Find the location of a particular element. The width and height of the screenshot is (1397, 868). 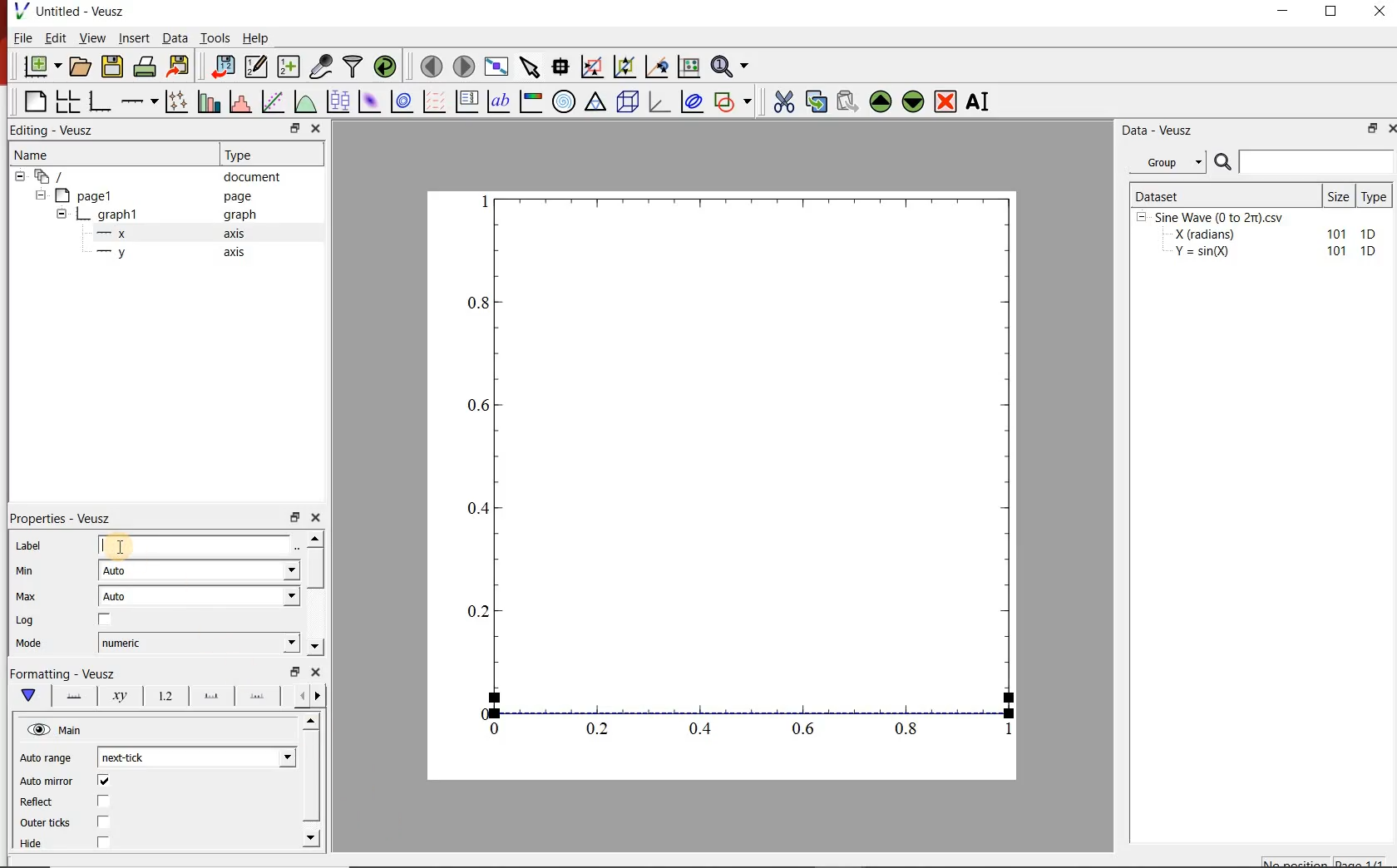

Dataset is located at coordinates (1224, 195).